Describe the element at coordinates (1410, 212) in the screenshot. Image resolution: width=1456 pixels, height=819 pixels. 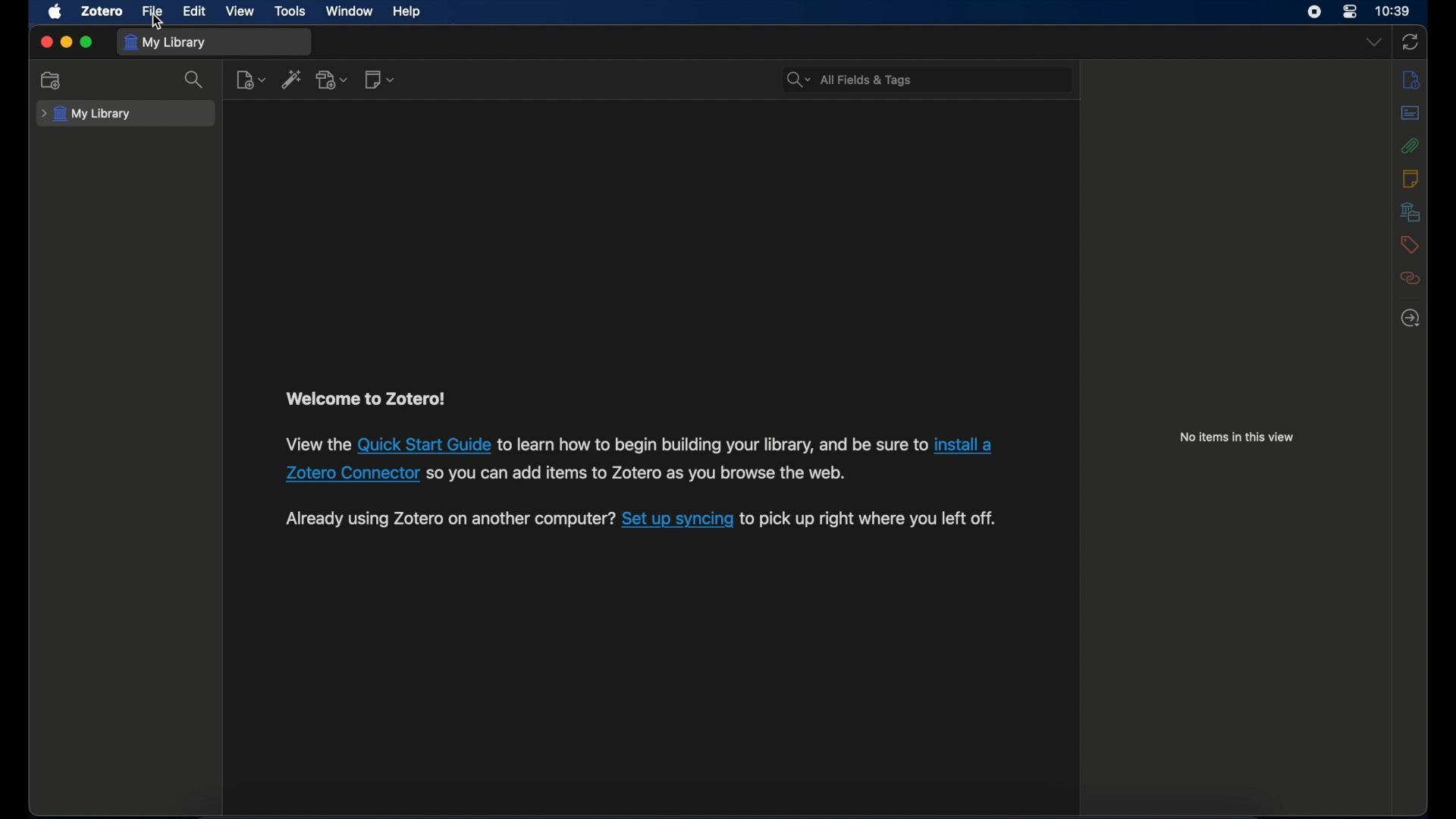
I see `libraries` at that location.